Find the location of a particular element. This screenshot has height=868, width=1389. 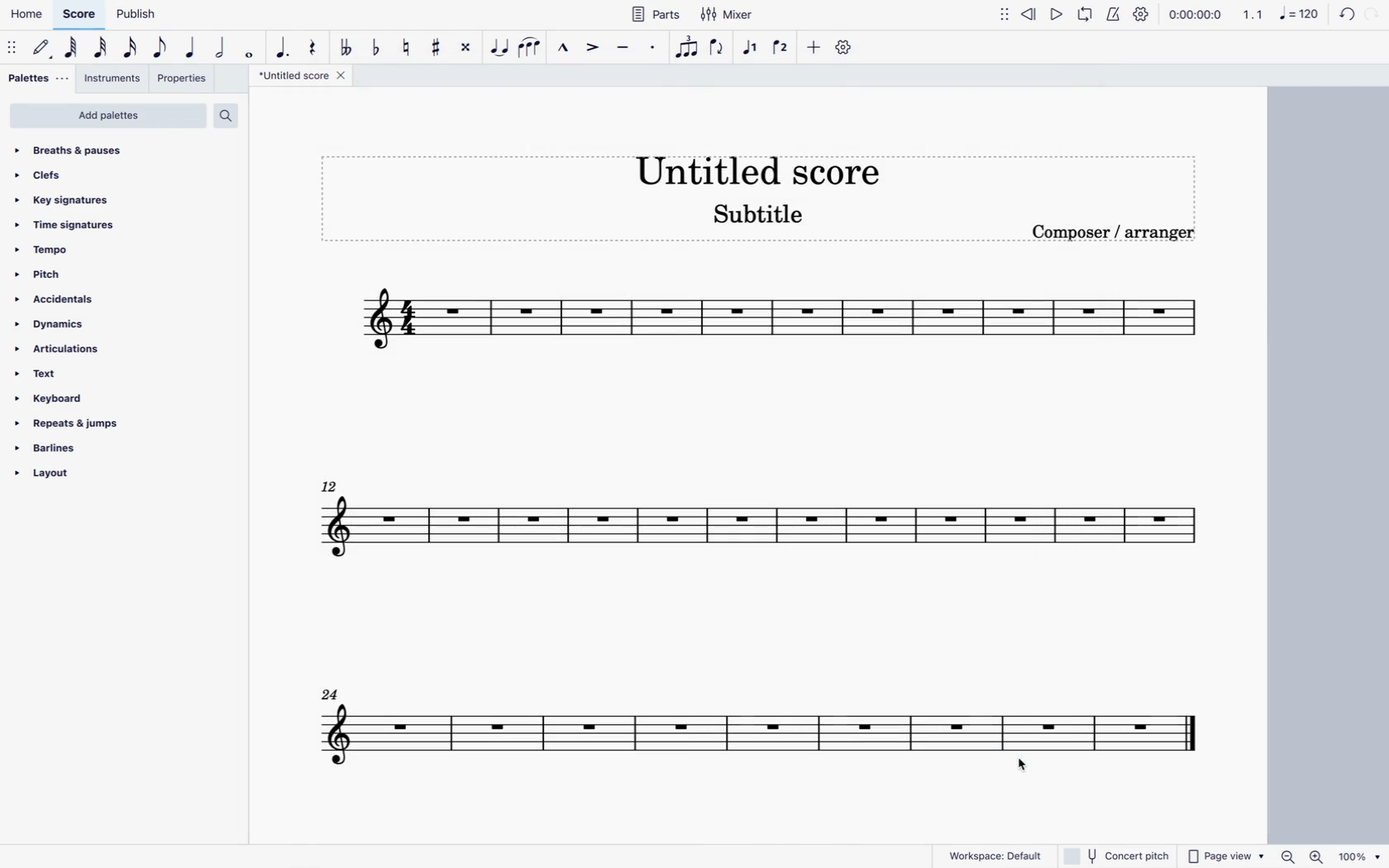

zoom out is located at coordinates (1291, 853).